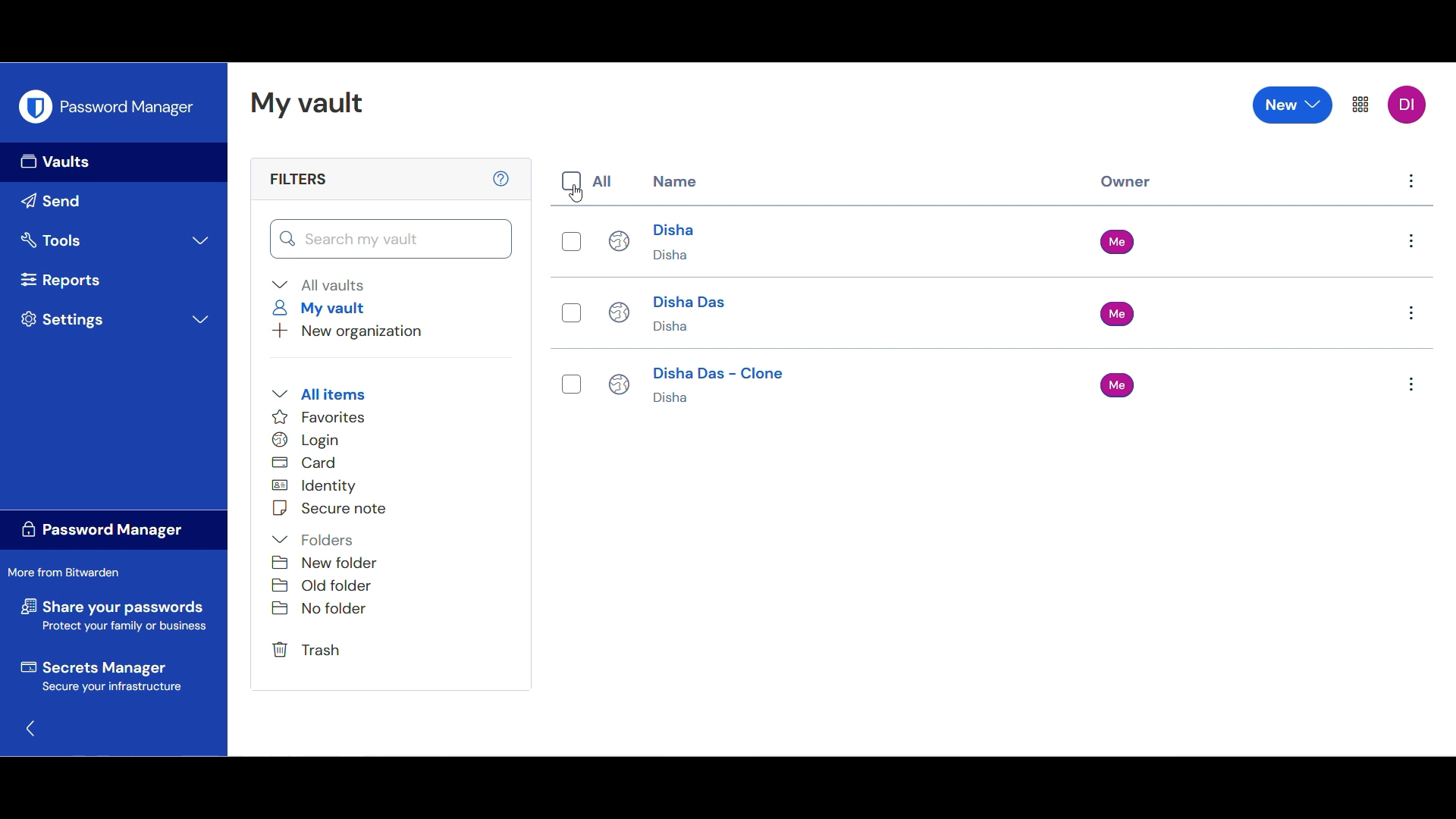 Image resolution: width=1456 pixels, height=819 pixels. I want to click on My vault, so click(324, 308).